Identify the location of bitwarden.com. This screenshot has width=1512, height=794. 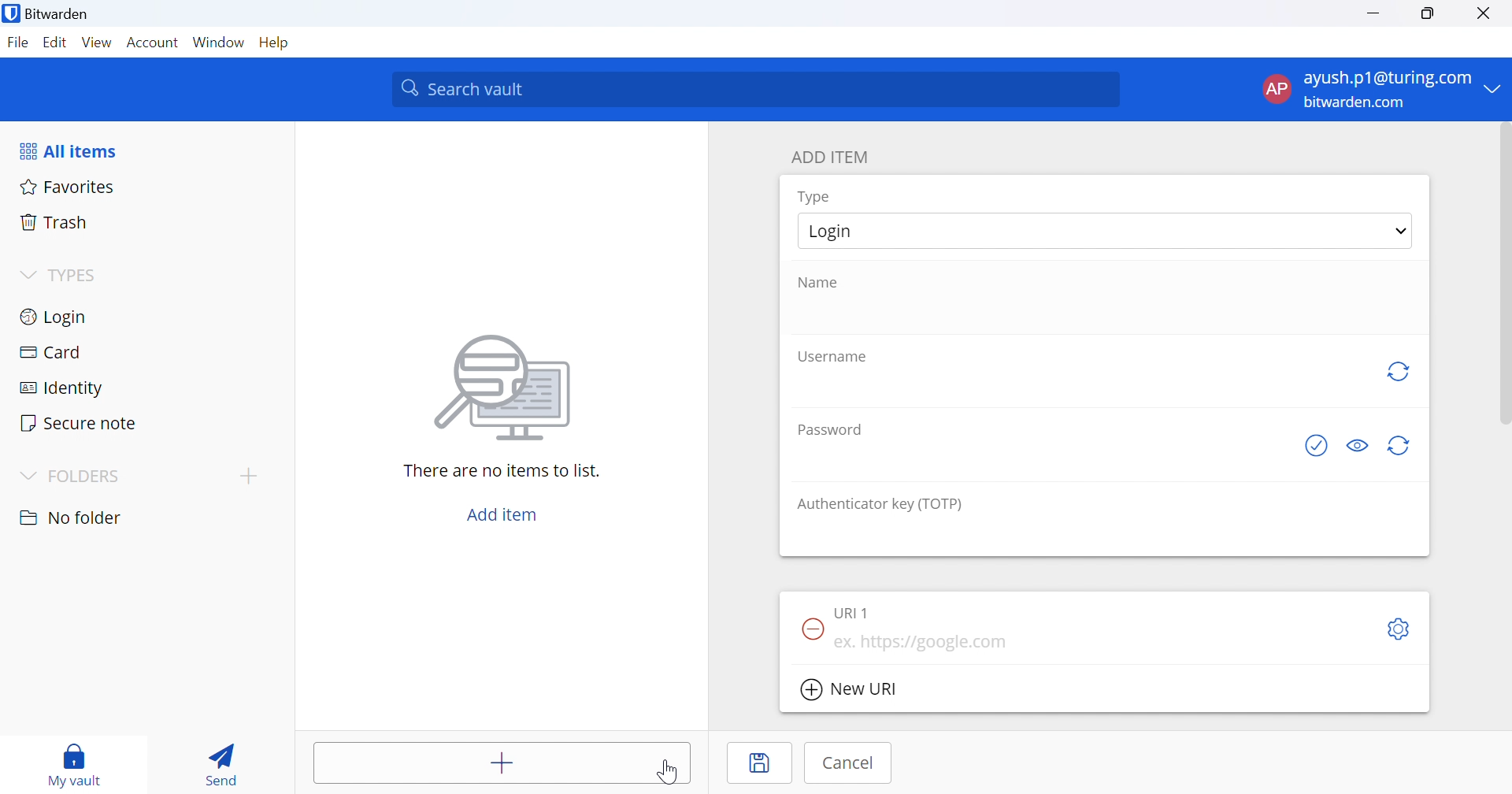
(1354, 102).